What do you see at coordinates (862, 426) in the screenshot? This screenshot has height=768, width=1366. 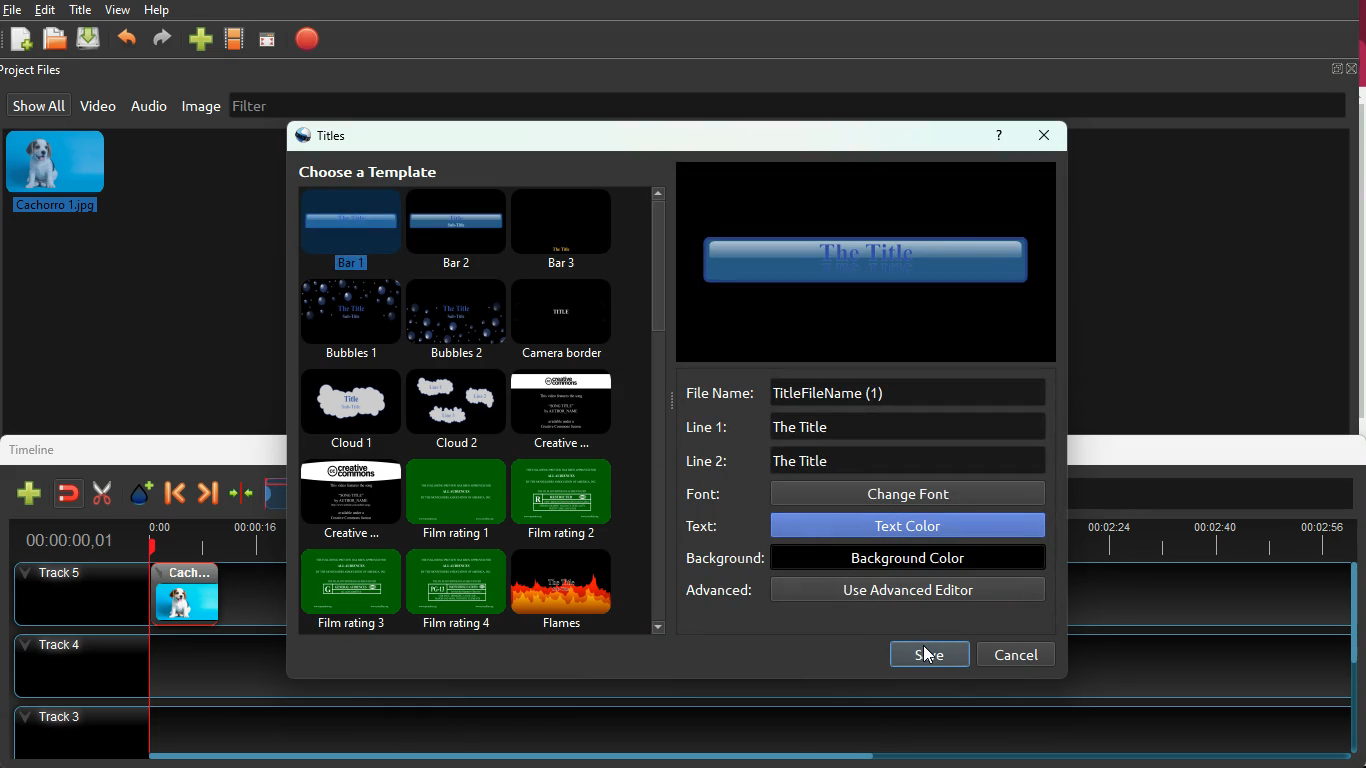 I see `line 1` at bounding box center [862, 426].